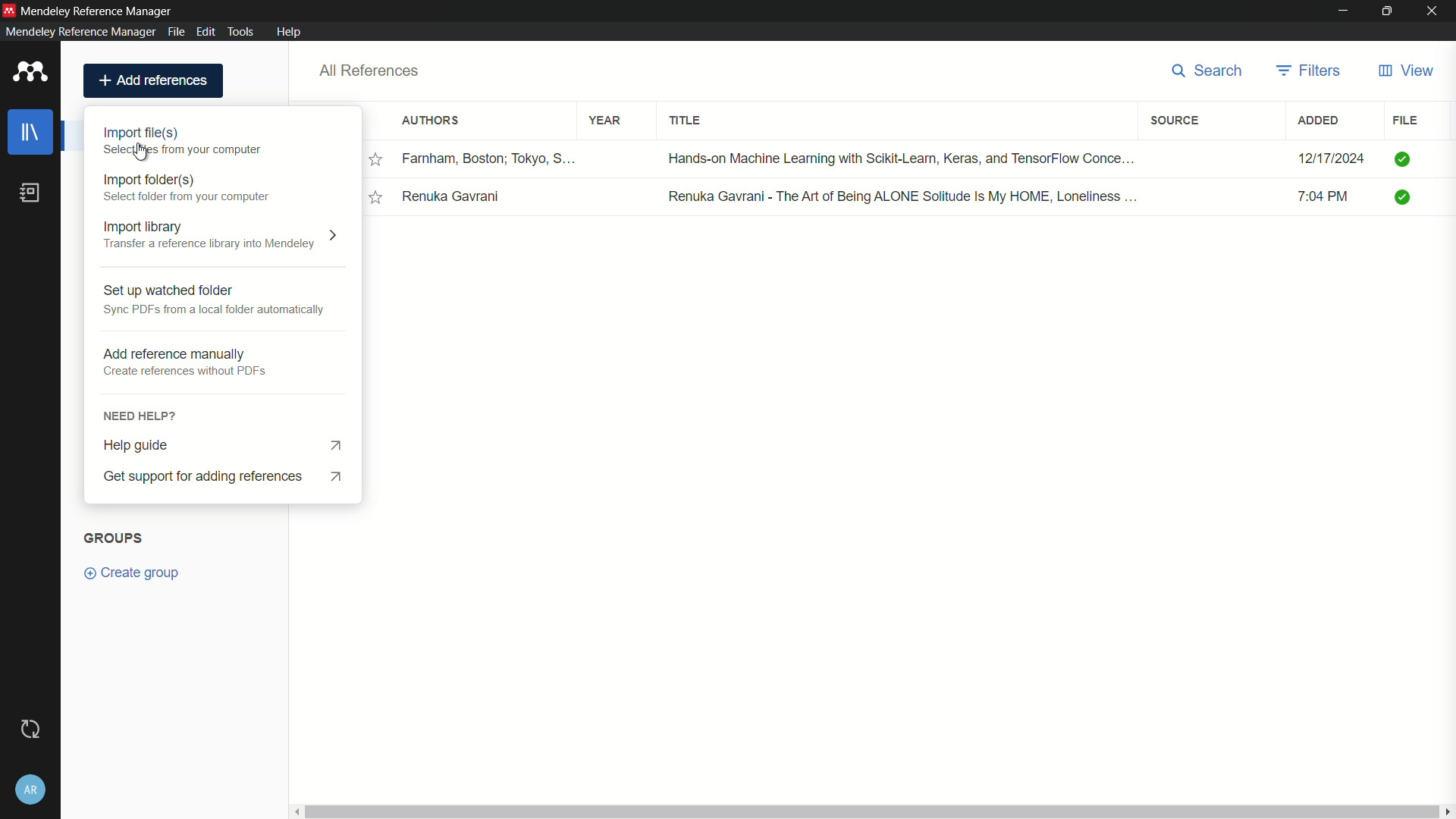  Describe the element at coordinates (431, 122) in the screenshot. I see `authors` at that location.